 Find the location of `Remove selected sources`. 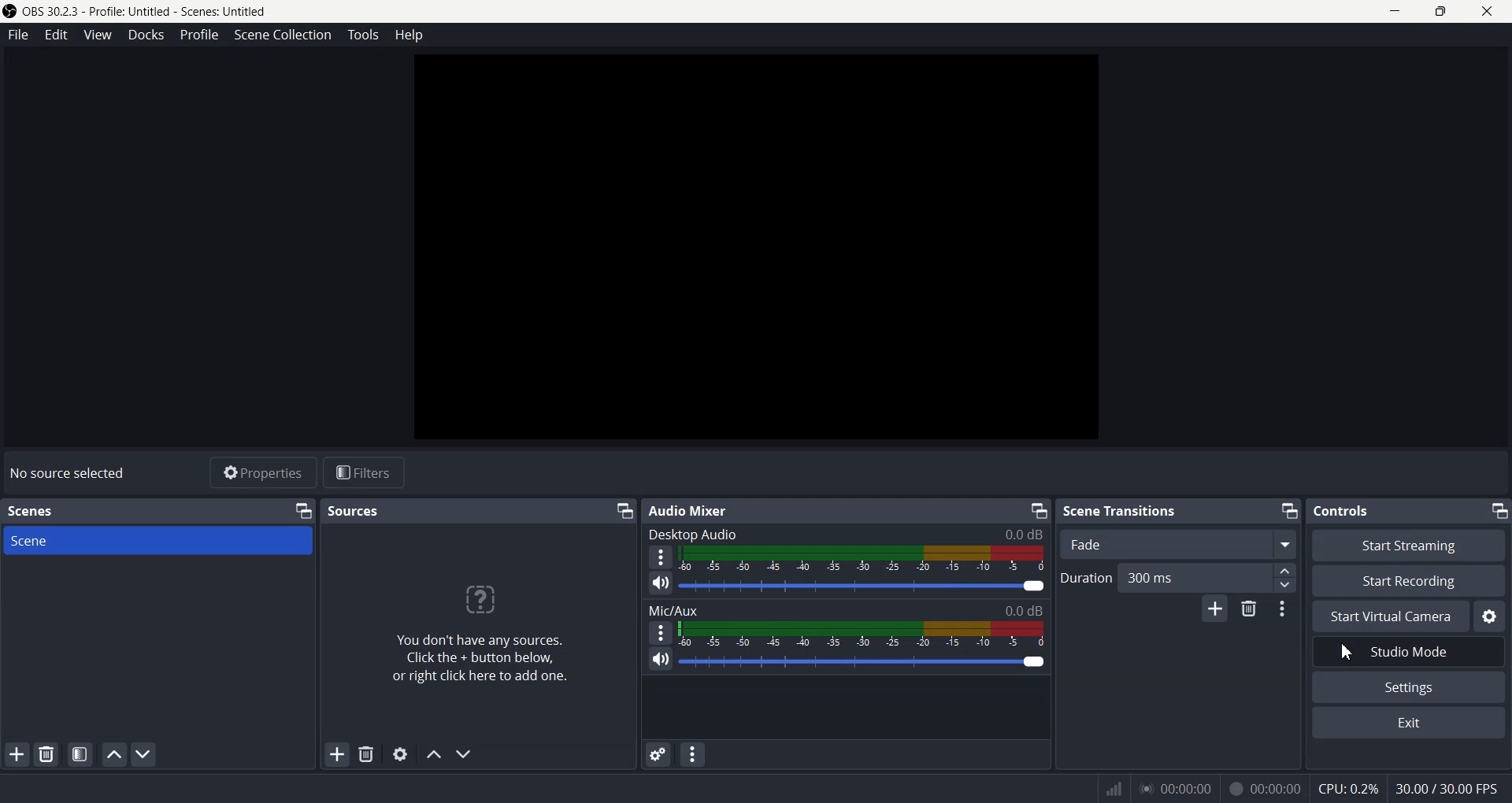

Remove selected sources is located at coordinates (368, 755).